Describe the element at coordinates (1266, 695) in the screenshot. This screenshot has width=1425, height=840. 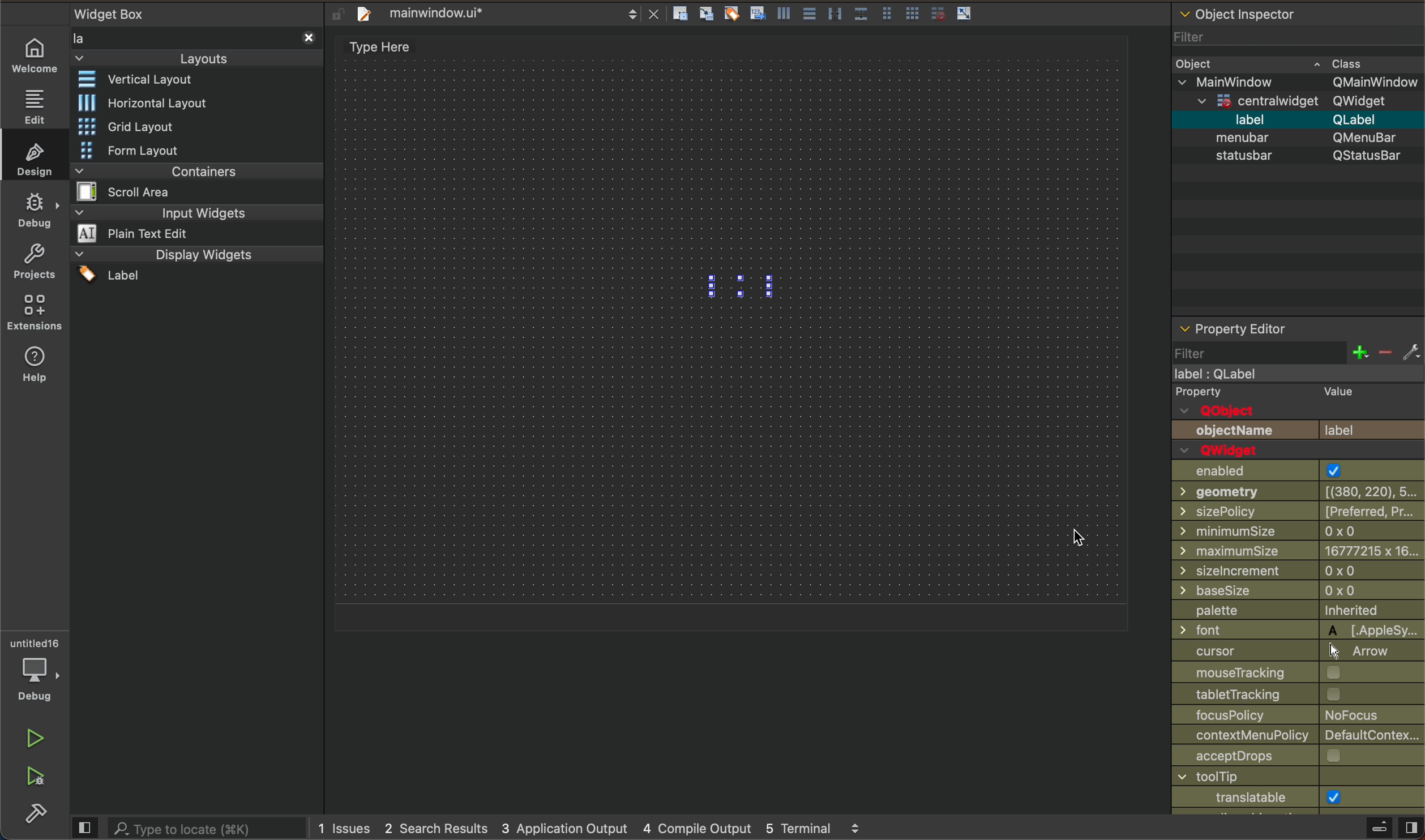
I see `` at that location.